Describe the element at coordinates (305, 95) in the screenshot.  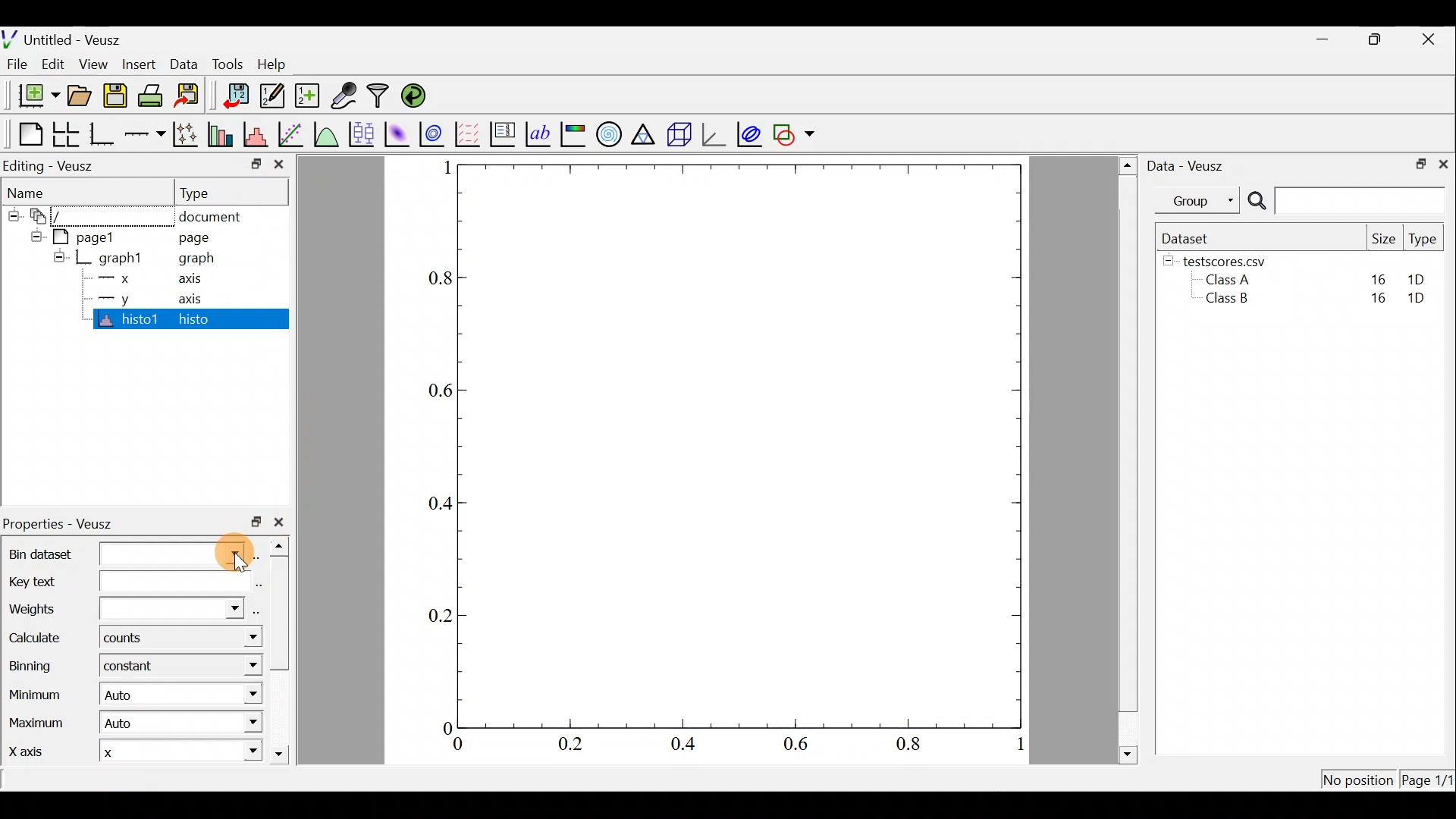
I see `Create new dataset using ranges, parametrically, or as functions of existing datasets.` at that location.